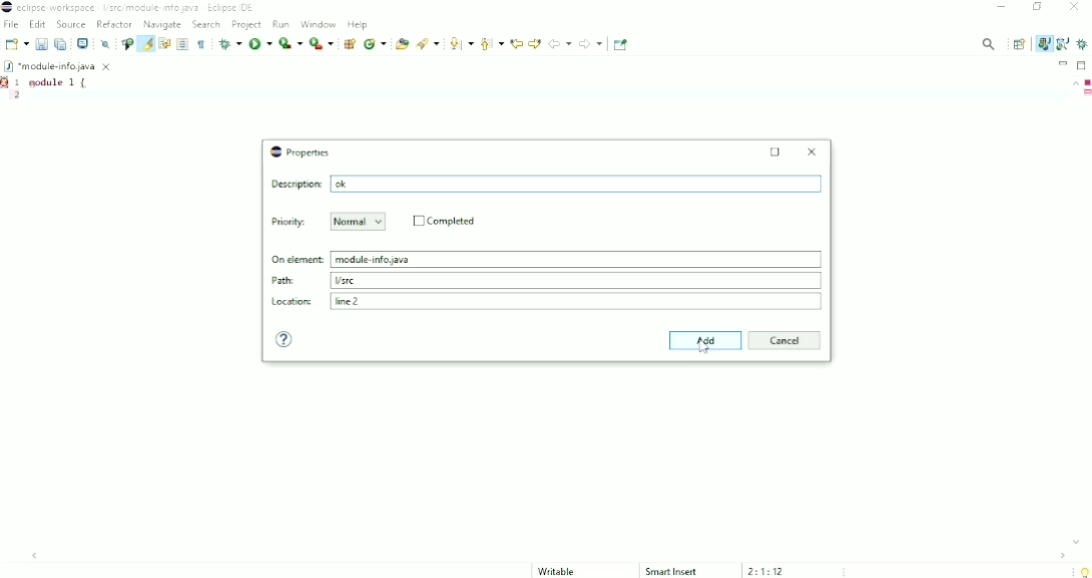 This screenshot has height=578, width=1092. What do you see at coordinates (358, 24) in the screenshot?
I see `Help` at bounding box center [358, 24].